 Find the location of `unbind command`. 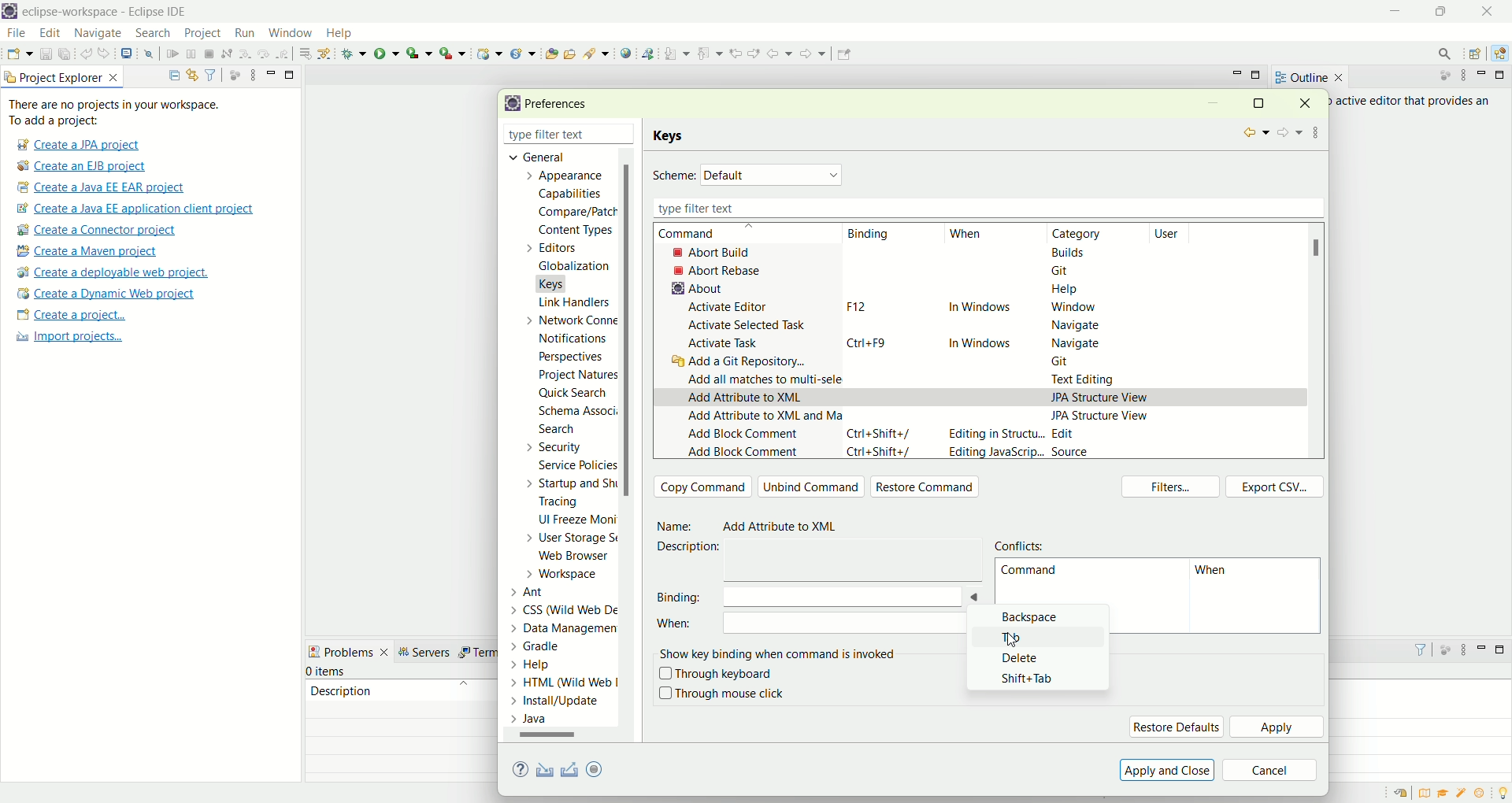

unbind command is located at coordinates (812, 487).